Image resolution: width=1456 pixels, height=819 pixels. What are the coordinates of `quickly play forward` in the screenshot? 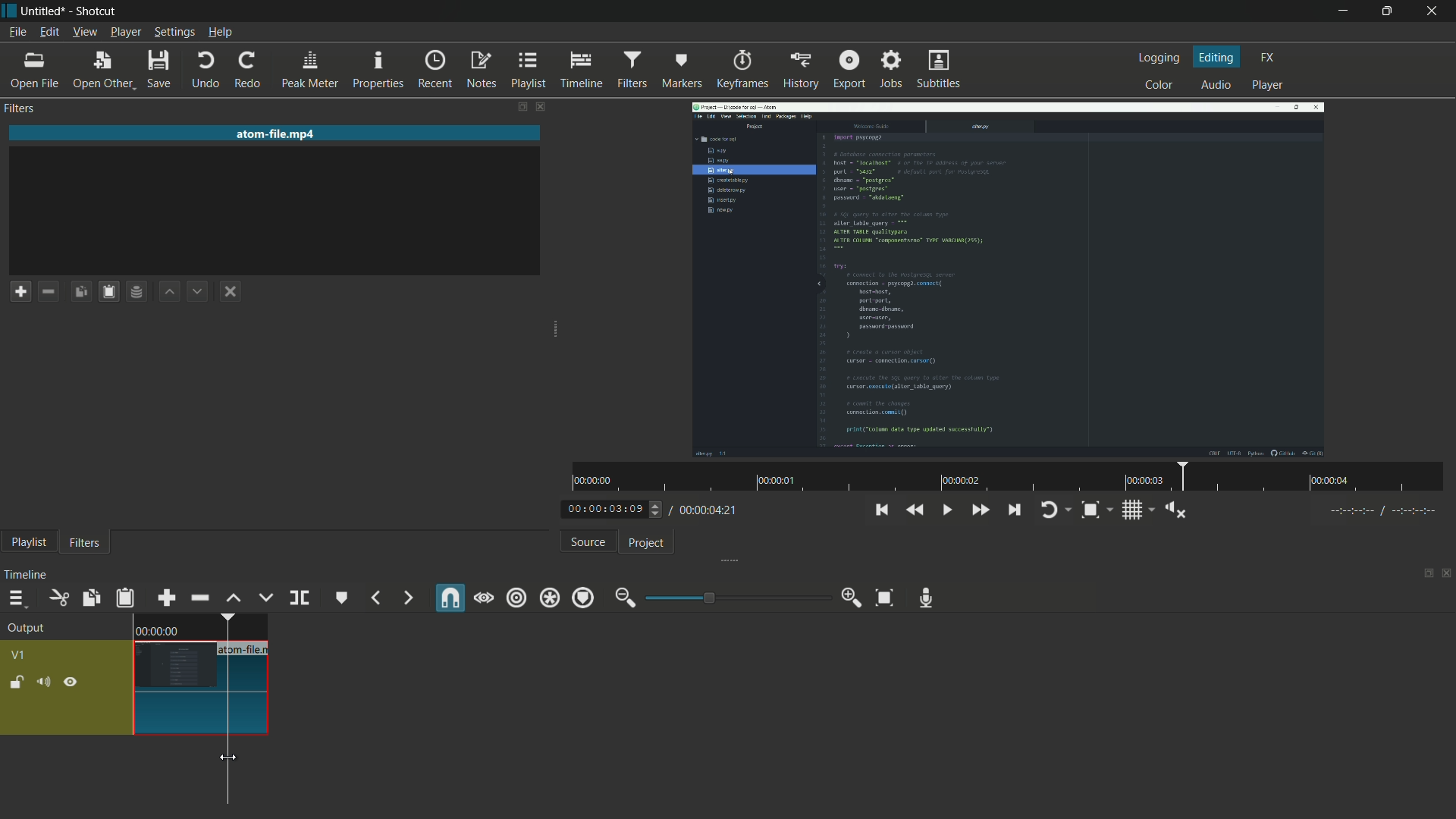 It's located at (979, 510).